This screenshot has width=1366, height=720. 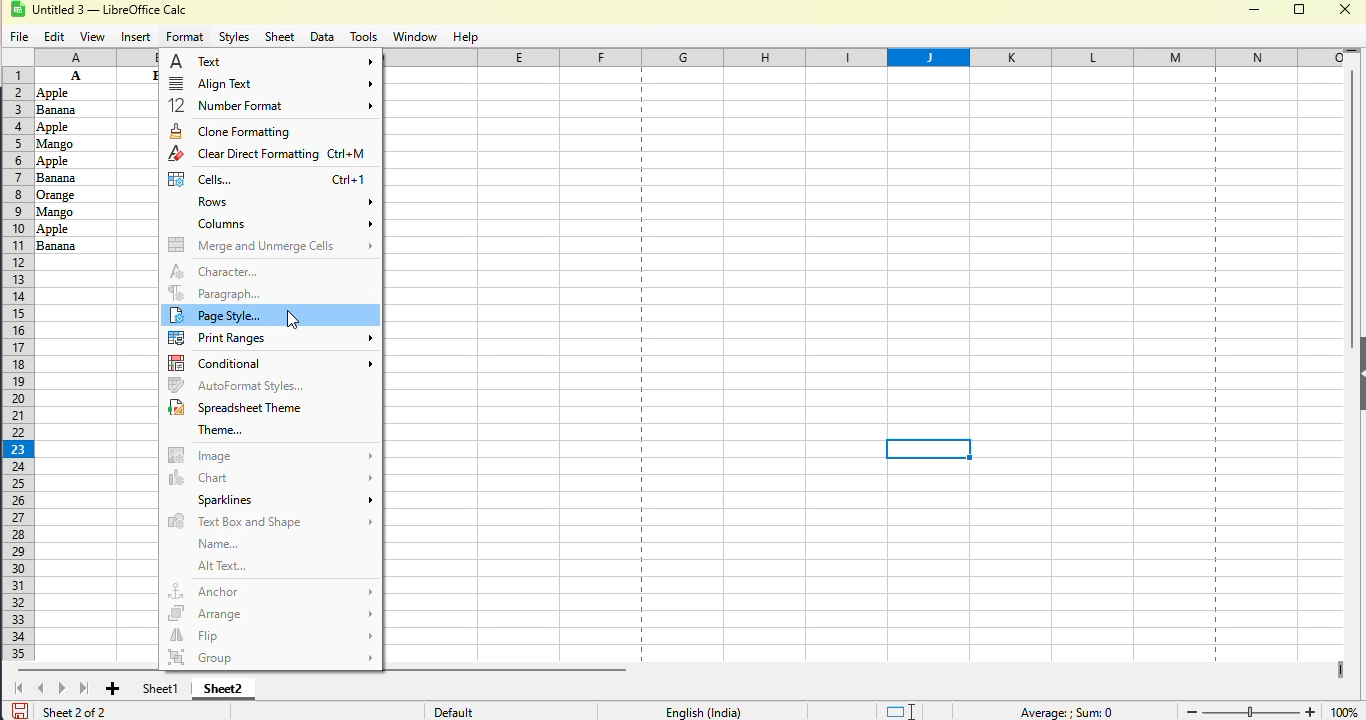 I want to click on cells, so click(x=200, y=178).